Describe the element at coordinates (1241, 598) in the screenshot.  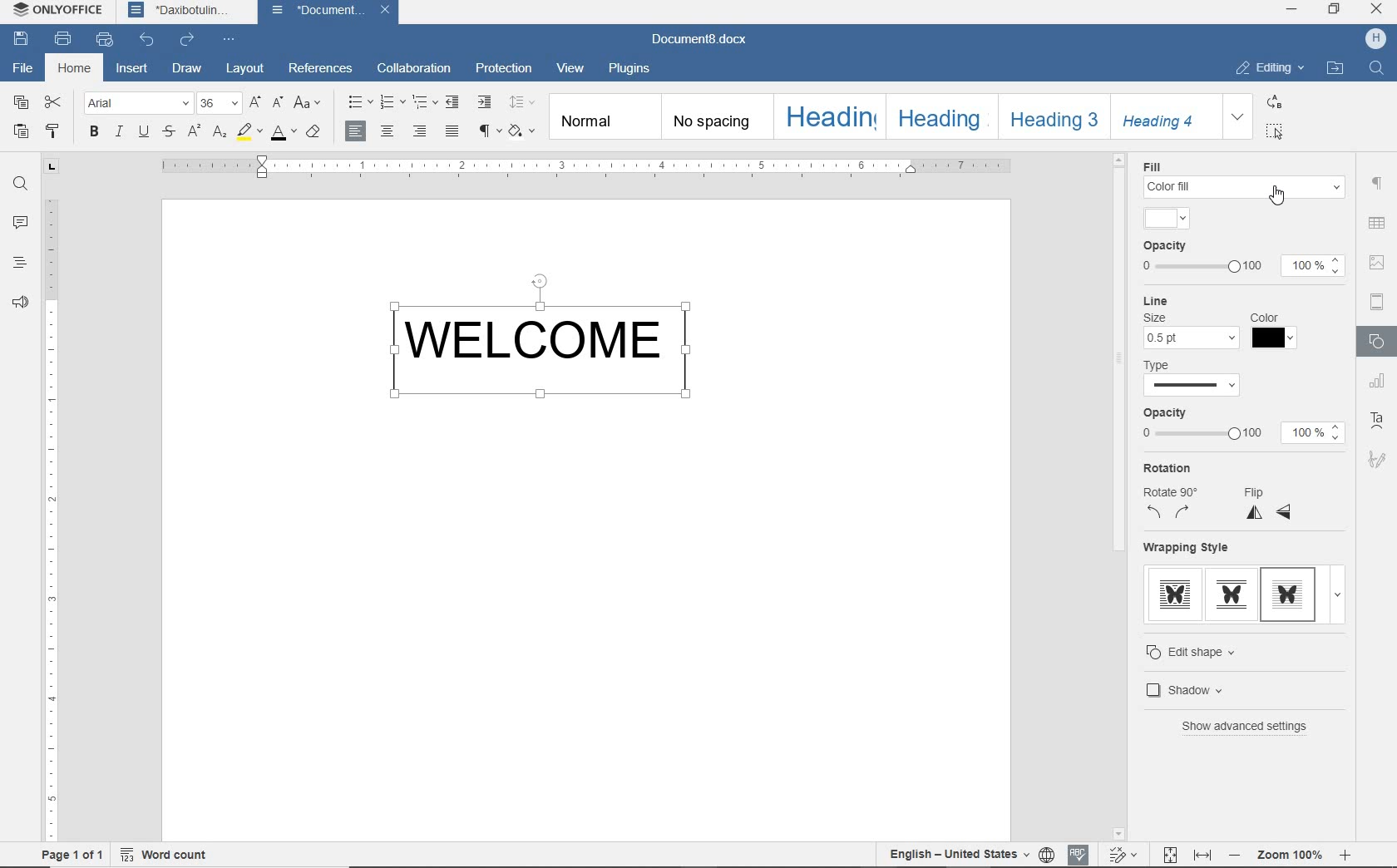
I see `wrapping style` at that location.